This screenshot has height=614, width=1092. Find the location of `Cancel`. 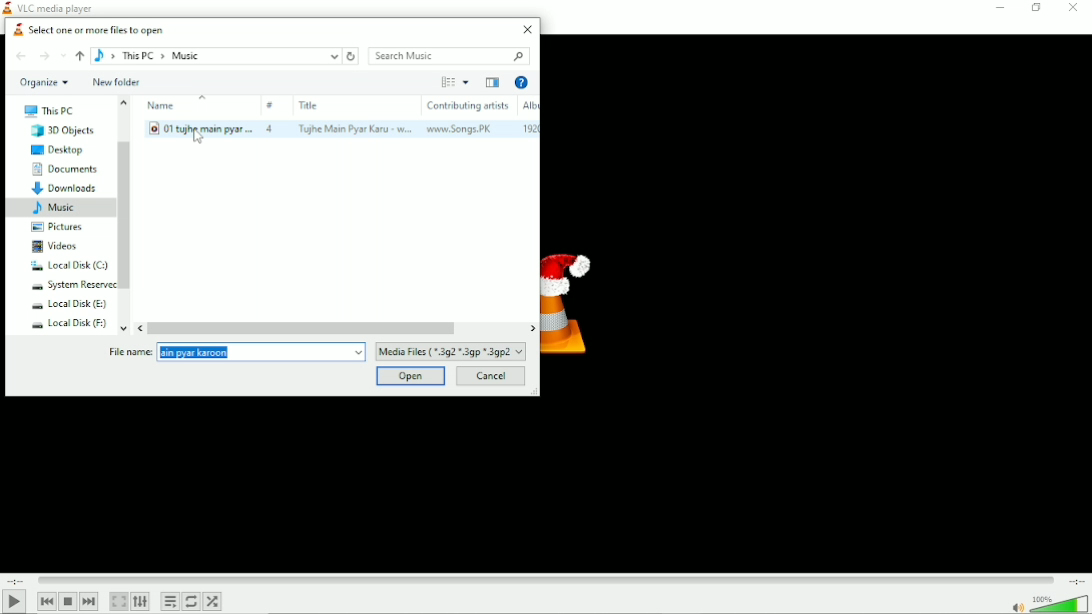

Cancel is located at coordinates (491, 376).